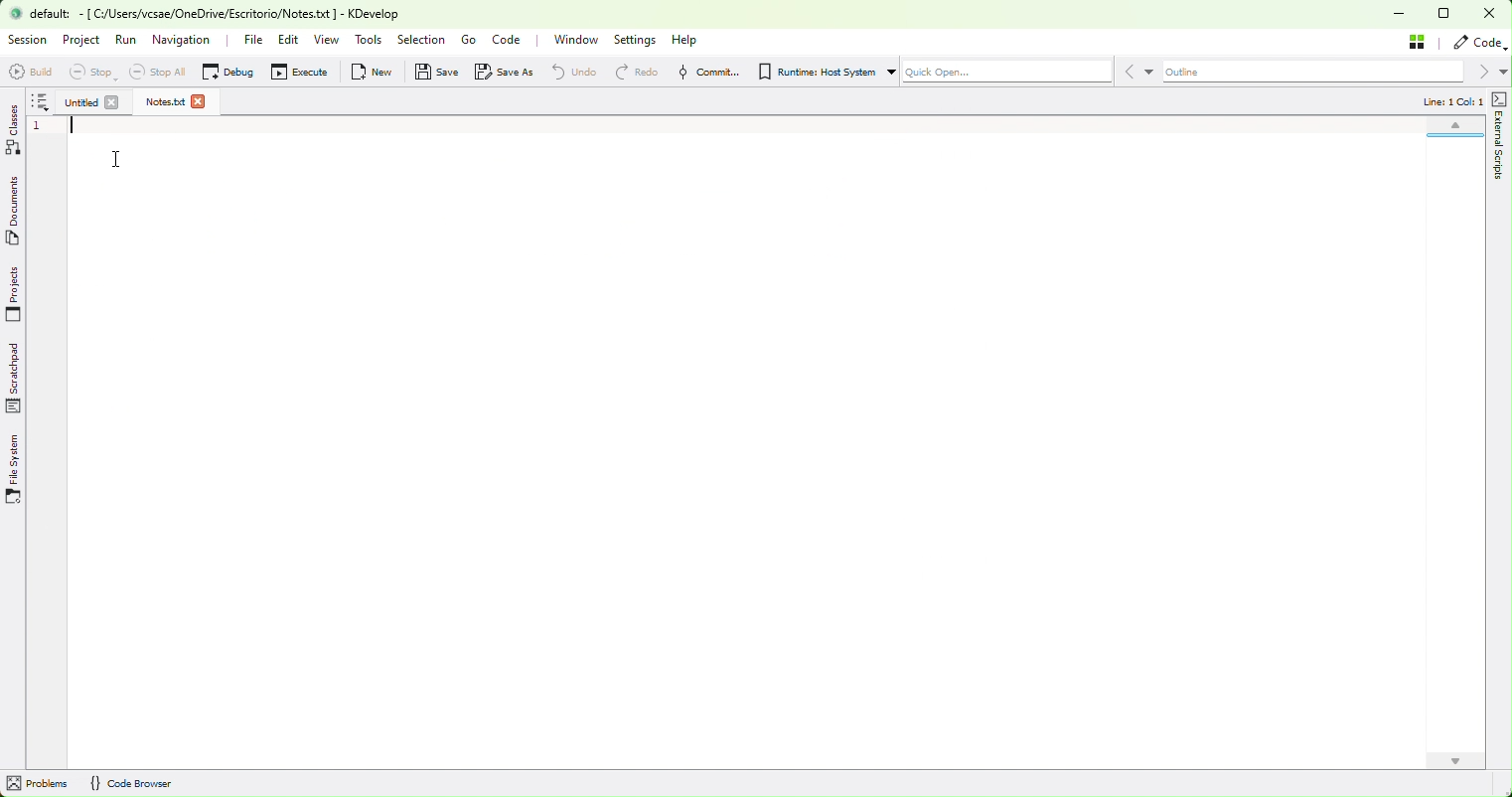  I want to click on {} Code Browser, so click(131, 784).